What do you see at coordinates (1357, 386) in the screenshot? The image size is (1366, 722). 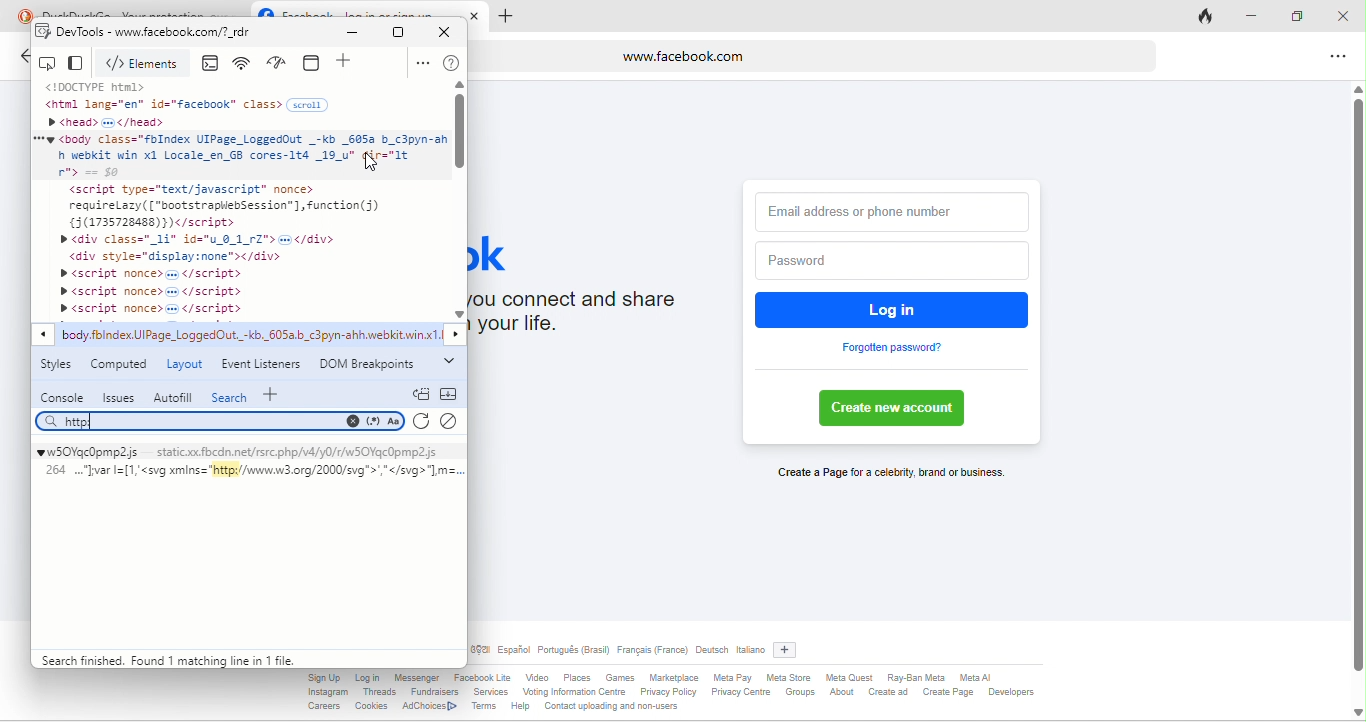 I see `vertical scroll bar` at bounding box center [1357, 386].